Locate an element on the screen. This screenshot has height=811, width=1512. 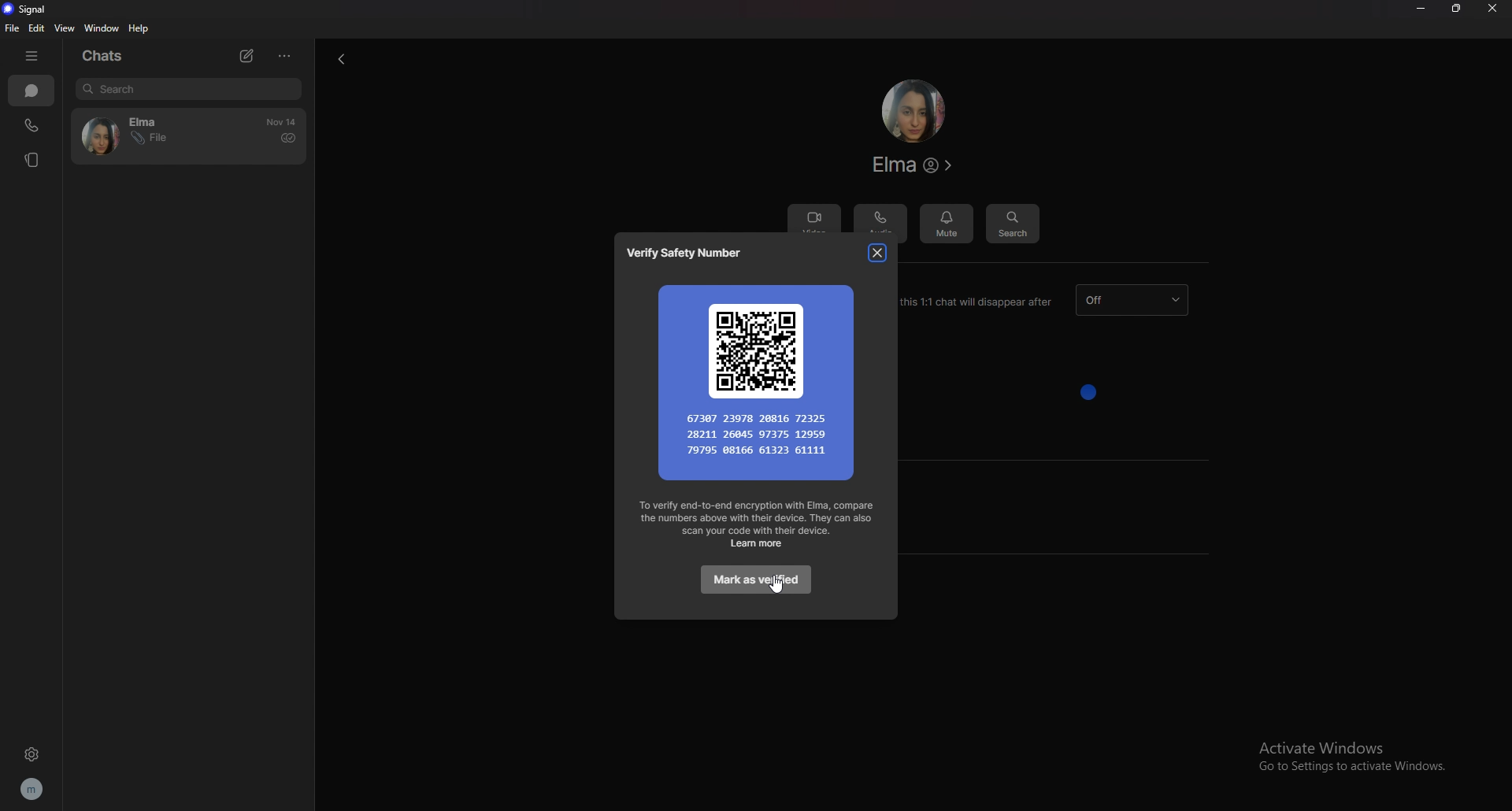
options is located at coordinates (285, 55).